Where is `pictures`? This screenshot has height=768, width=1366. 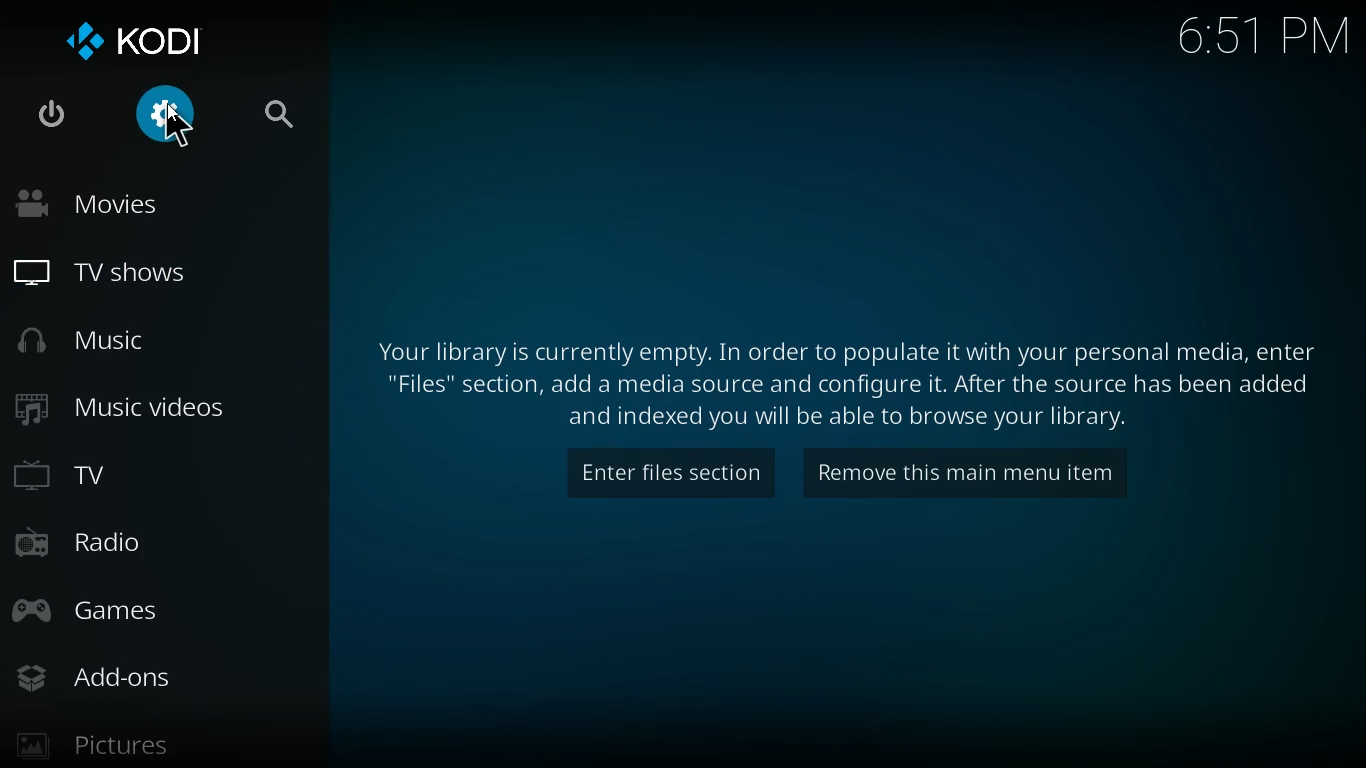 pictures is located at coordinates (105, 740).